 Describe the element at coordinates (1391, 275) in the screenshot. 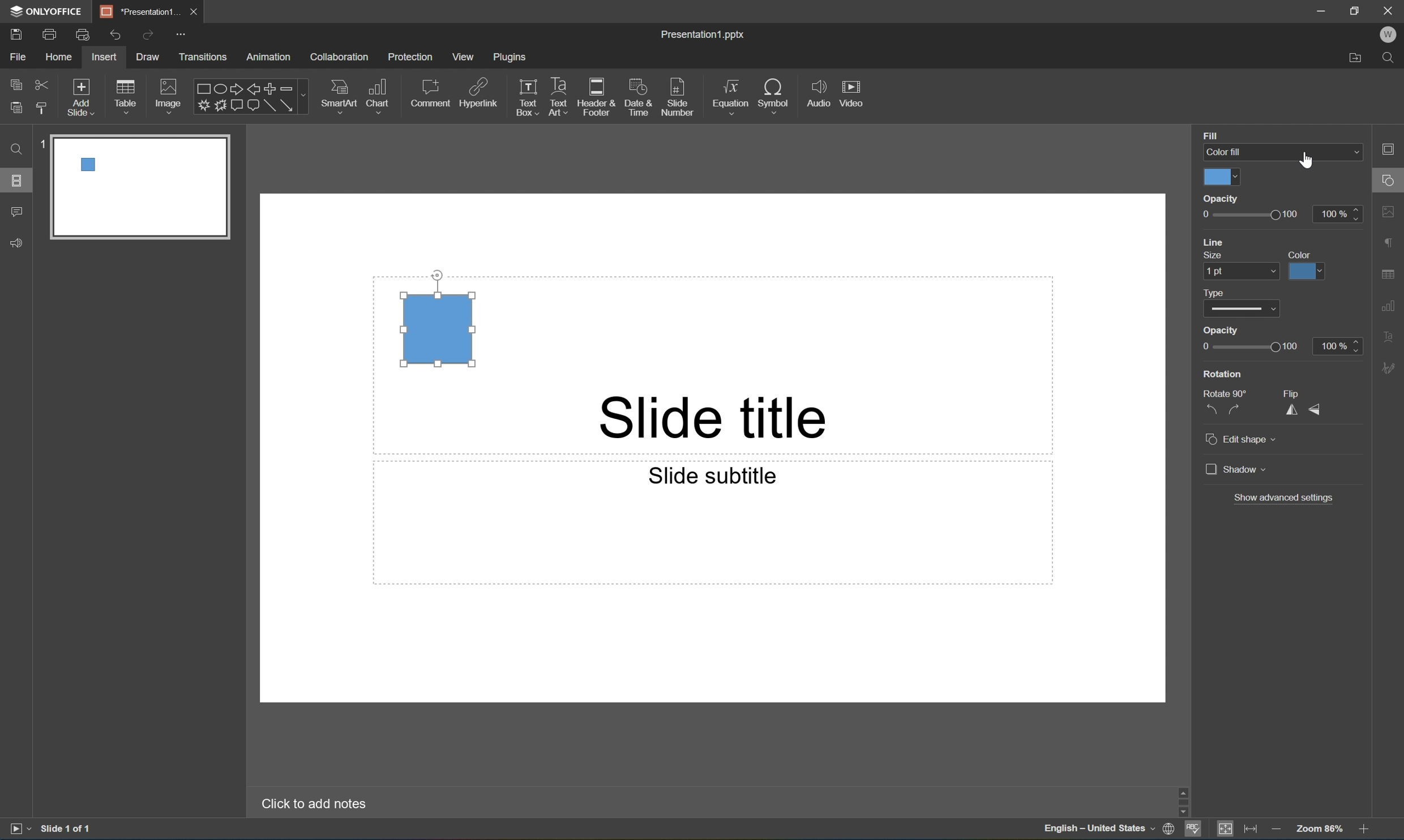

I see `Table settings` at that location.